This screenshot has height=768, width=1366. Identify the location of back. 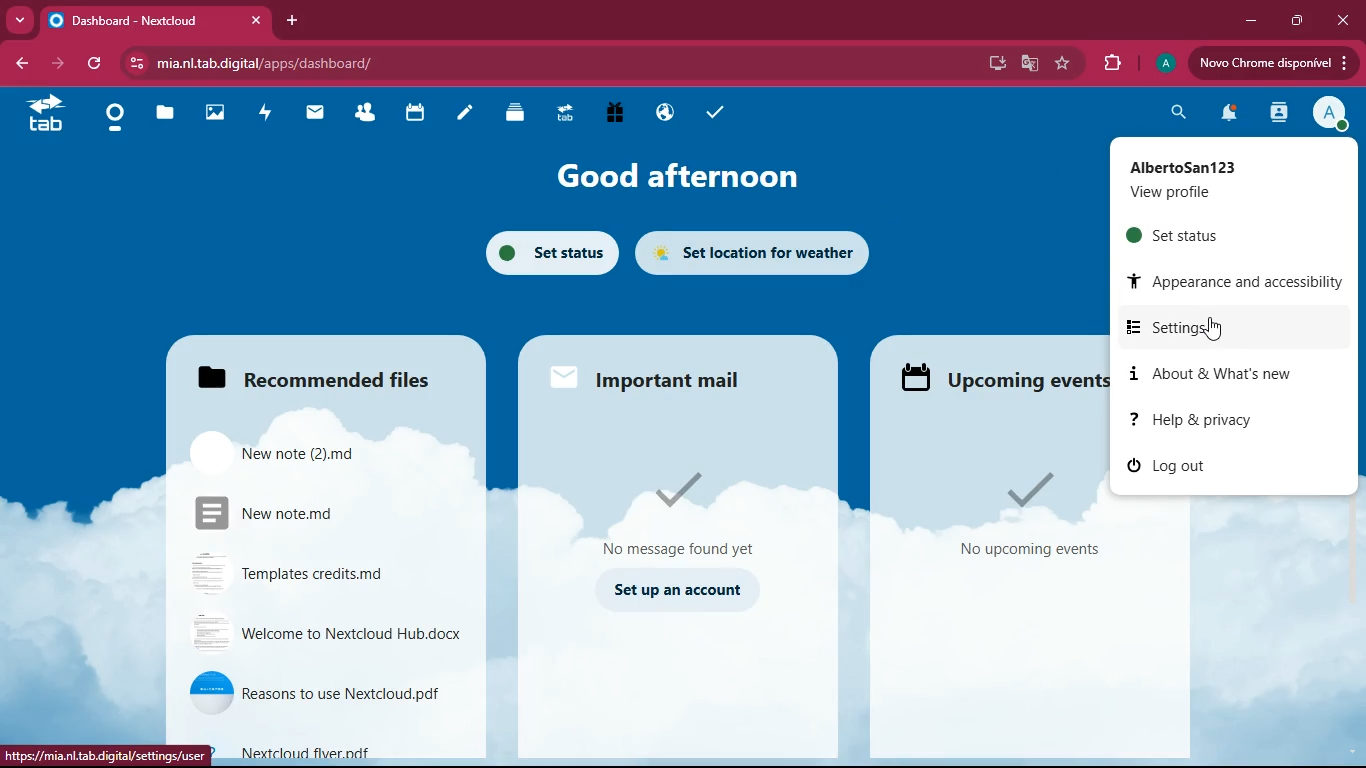
(21, 65).